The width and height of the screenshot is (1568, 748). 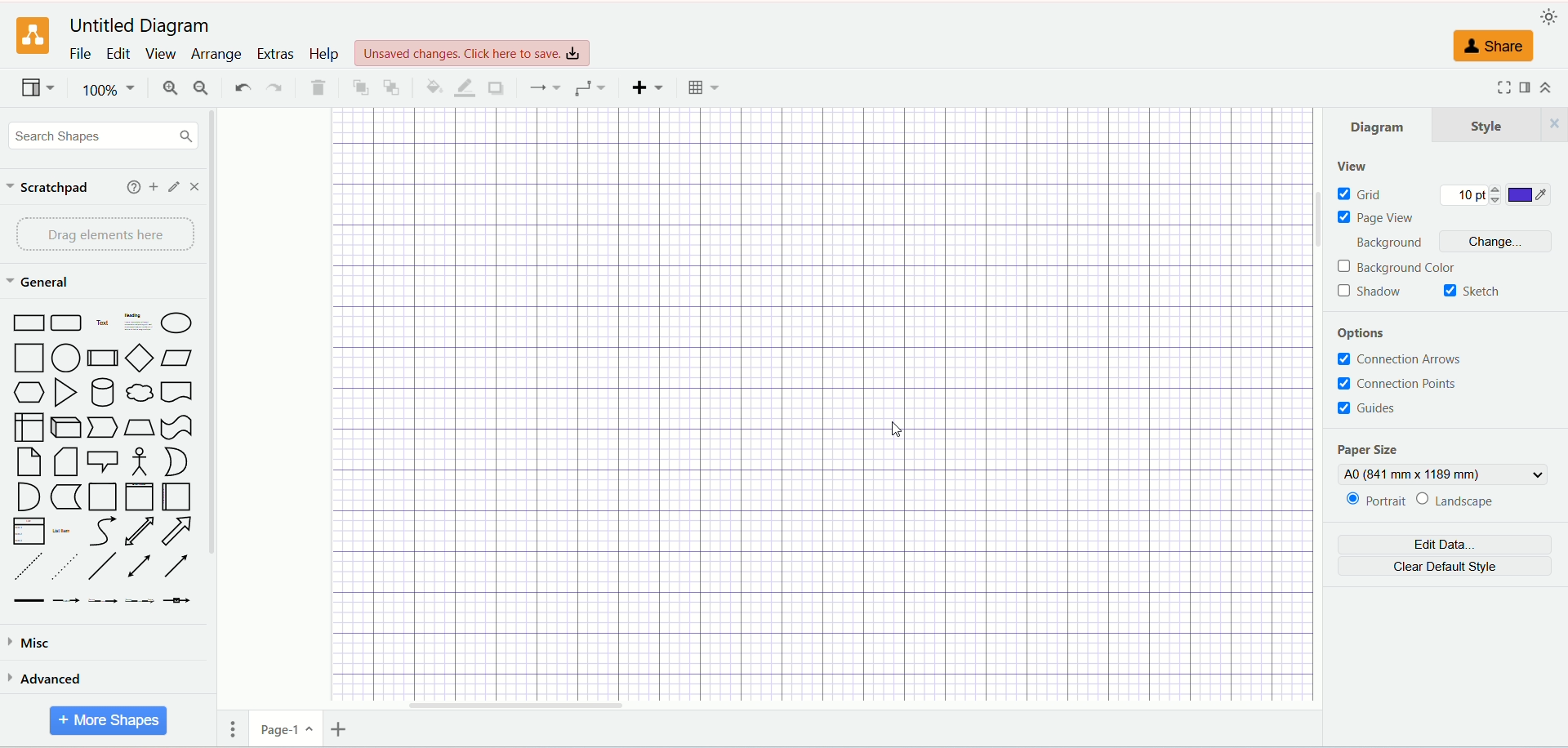 What do you see at coordinates (139, 532) in the screenshot?
I see `Bidirectional Arrow` at bounding box center [139, 532].